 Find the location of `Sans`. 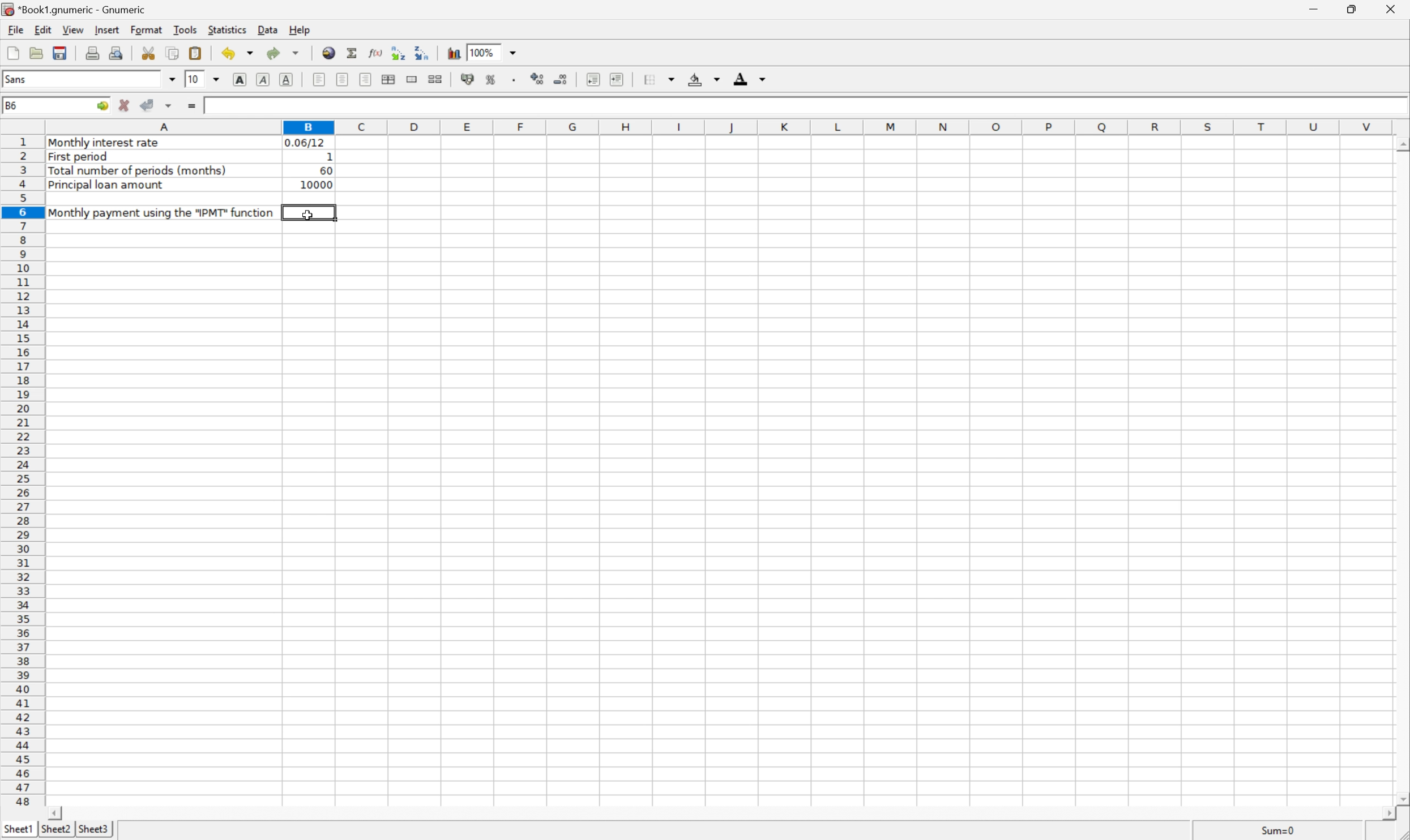

Sans is located at coordinates (16, 79).